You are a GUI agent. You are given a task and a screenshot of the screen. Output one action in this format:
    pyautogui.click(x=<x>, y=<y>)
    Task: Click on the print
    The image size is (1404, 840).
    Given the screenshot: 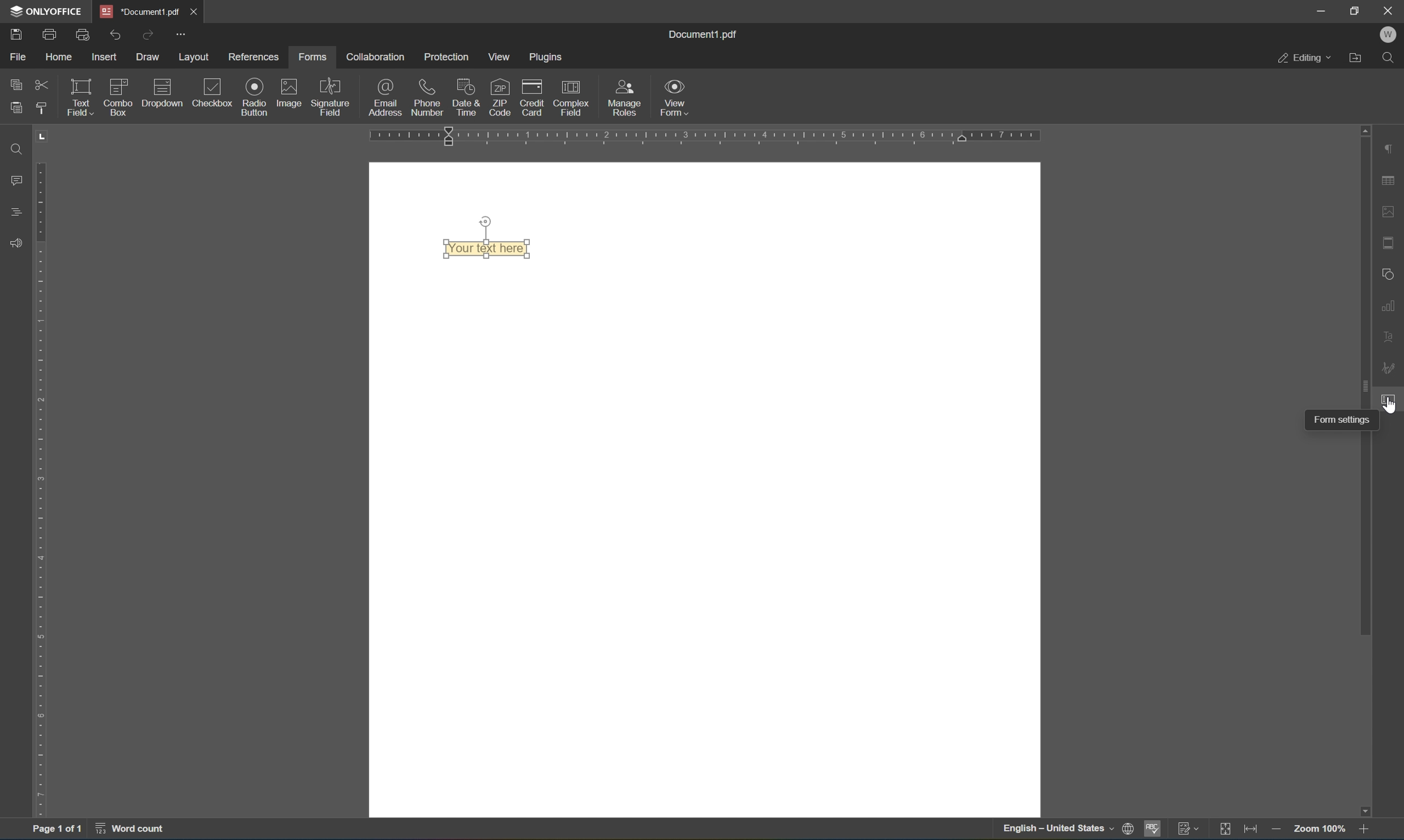 What is the action you would take?
    pyautogui.click(x=1125, y=828)
    